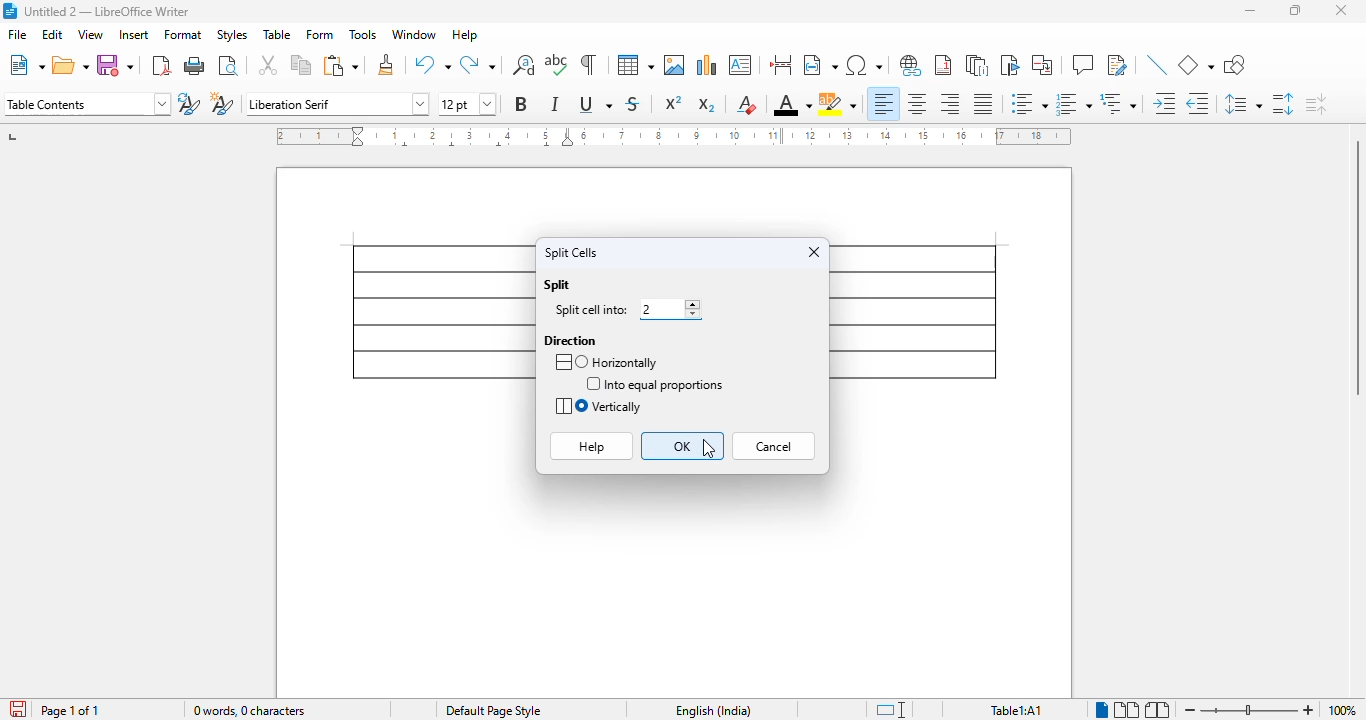  Describe the element at coordinates (336, 104) in the screenshot. I see `font name` at that location.